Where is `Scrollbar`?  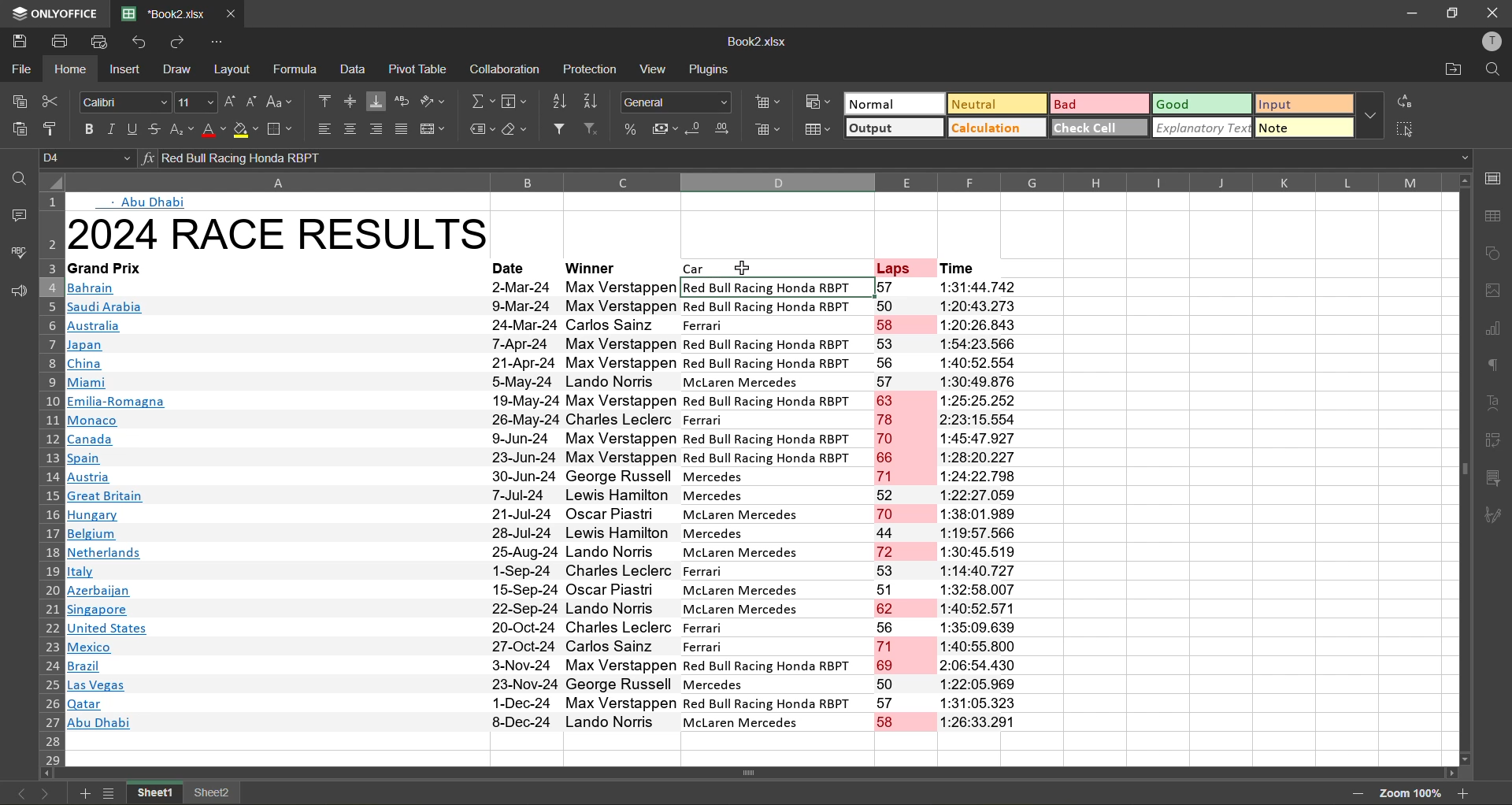
Scrollbar is located at coordinates (1455, 465).